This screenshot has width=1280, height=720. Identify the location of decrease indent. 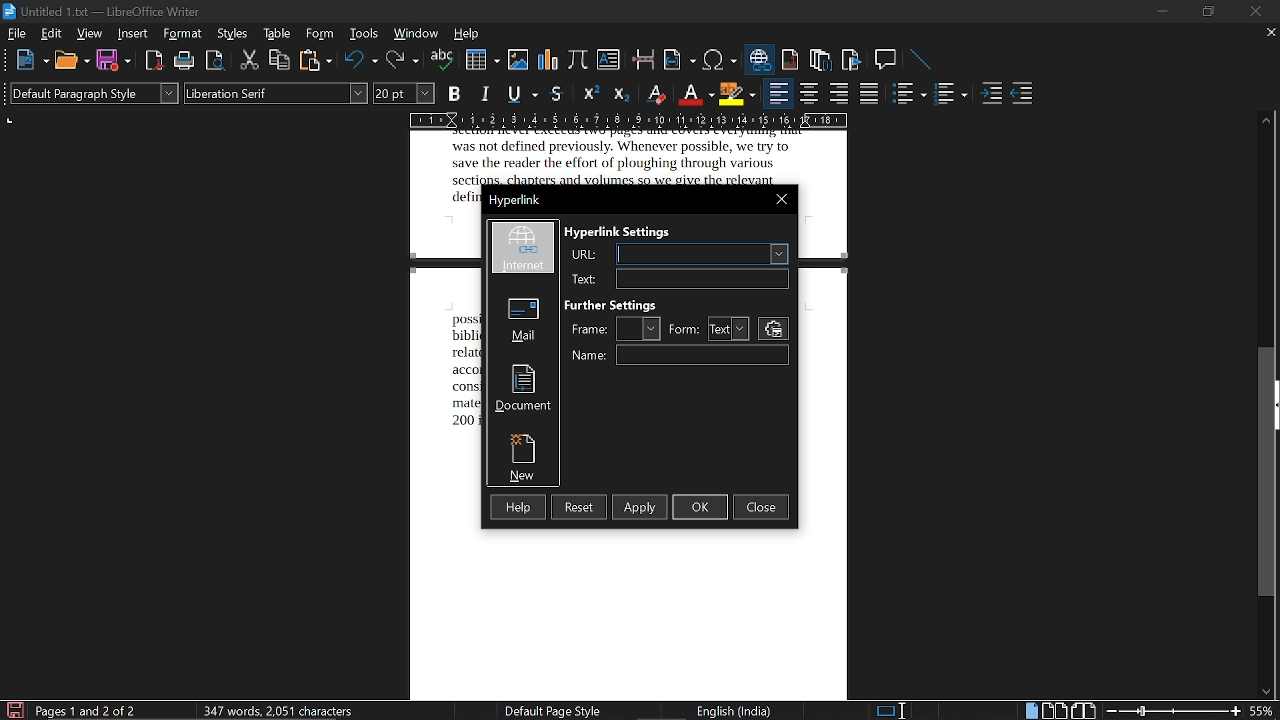
(1023, 97).